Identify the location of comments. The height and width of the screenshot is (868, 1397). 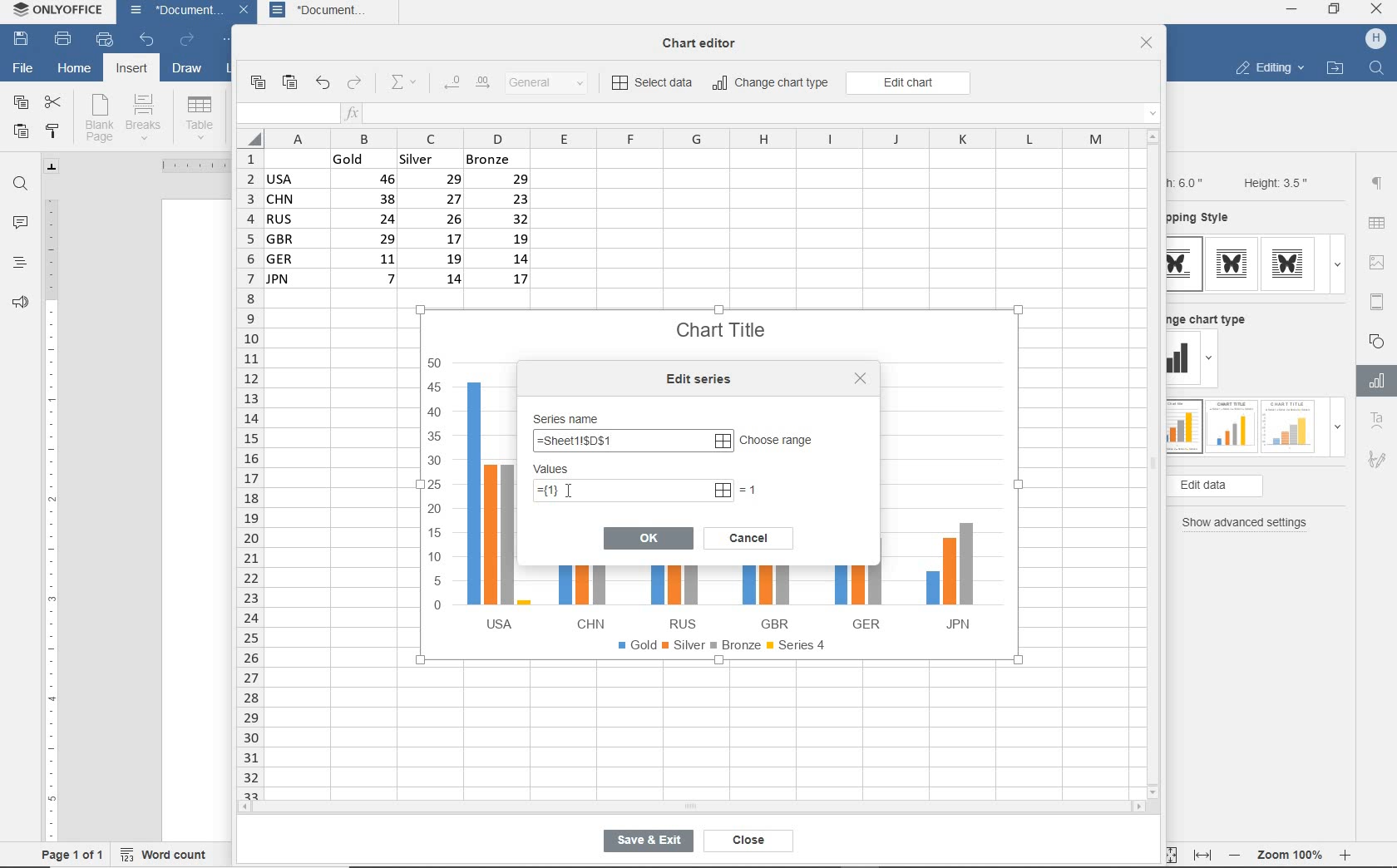
(21, 224).